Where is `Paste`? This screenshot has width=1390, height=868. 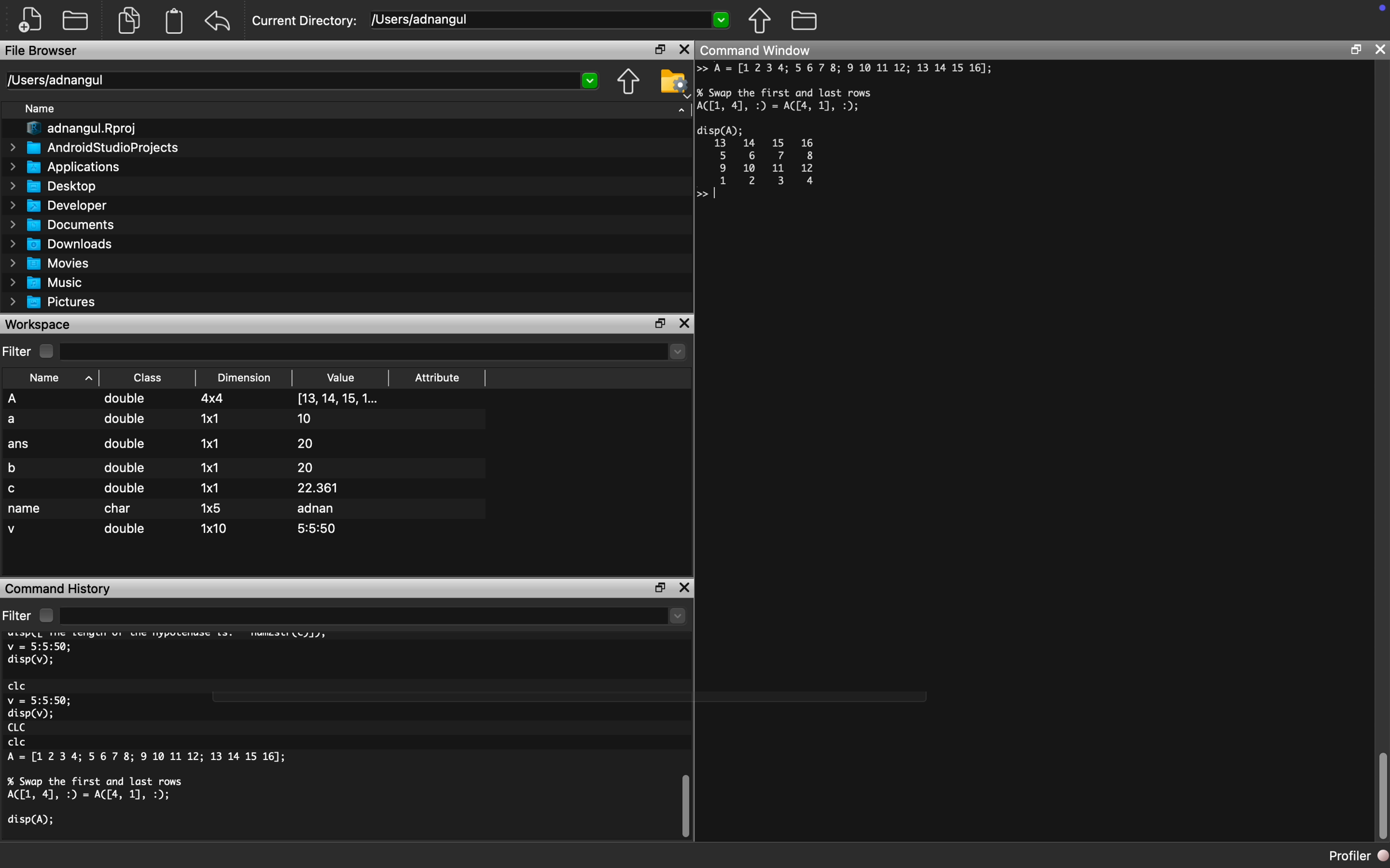
Paste is located at coordinates (176, 21).